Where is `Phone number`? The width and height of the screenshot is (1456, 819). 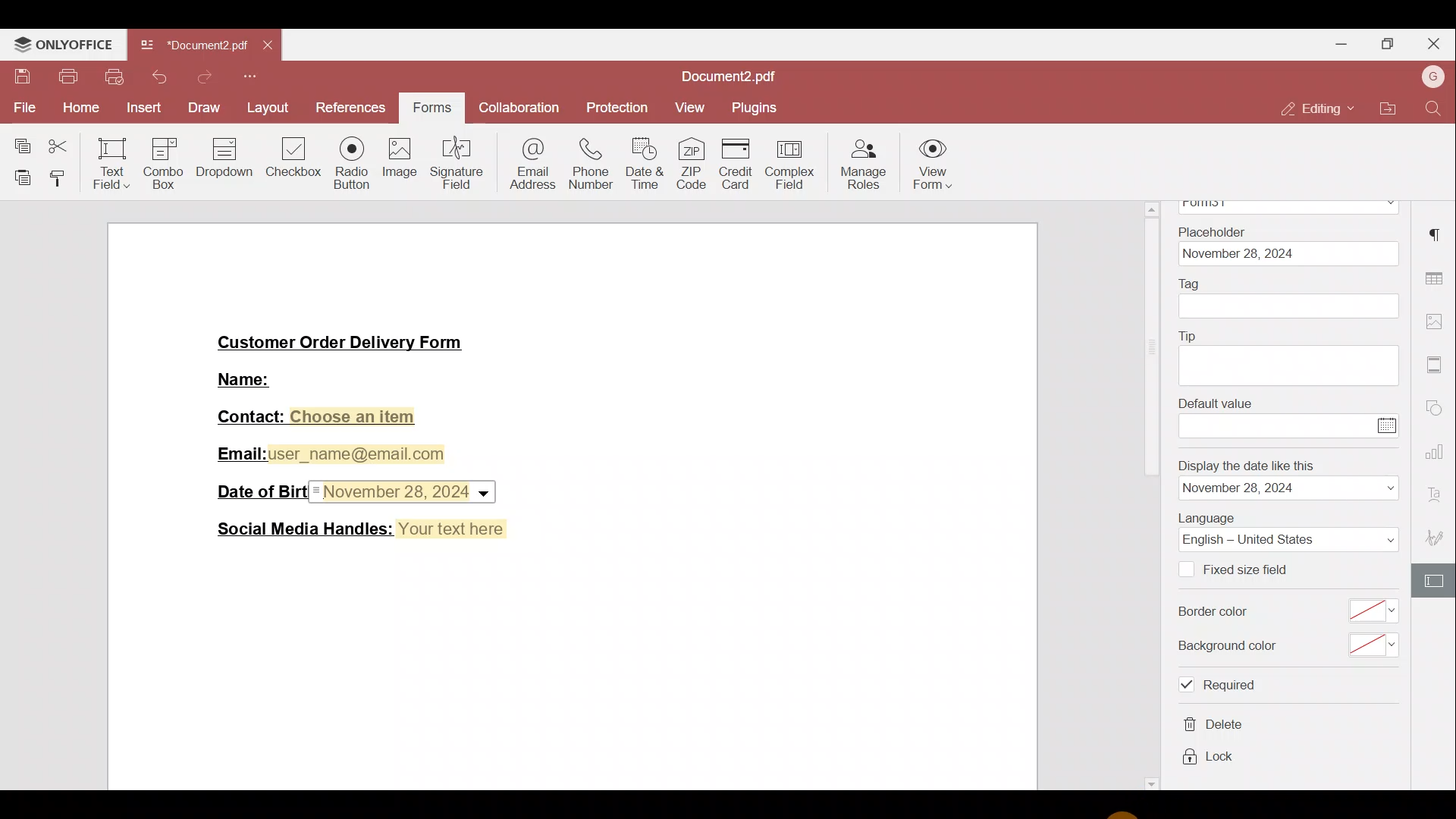
Phone number is located at coordinates (591, 160).